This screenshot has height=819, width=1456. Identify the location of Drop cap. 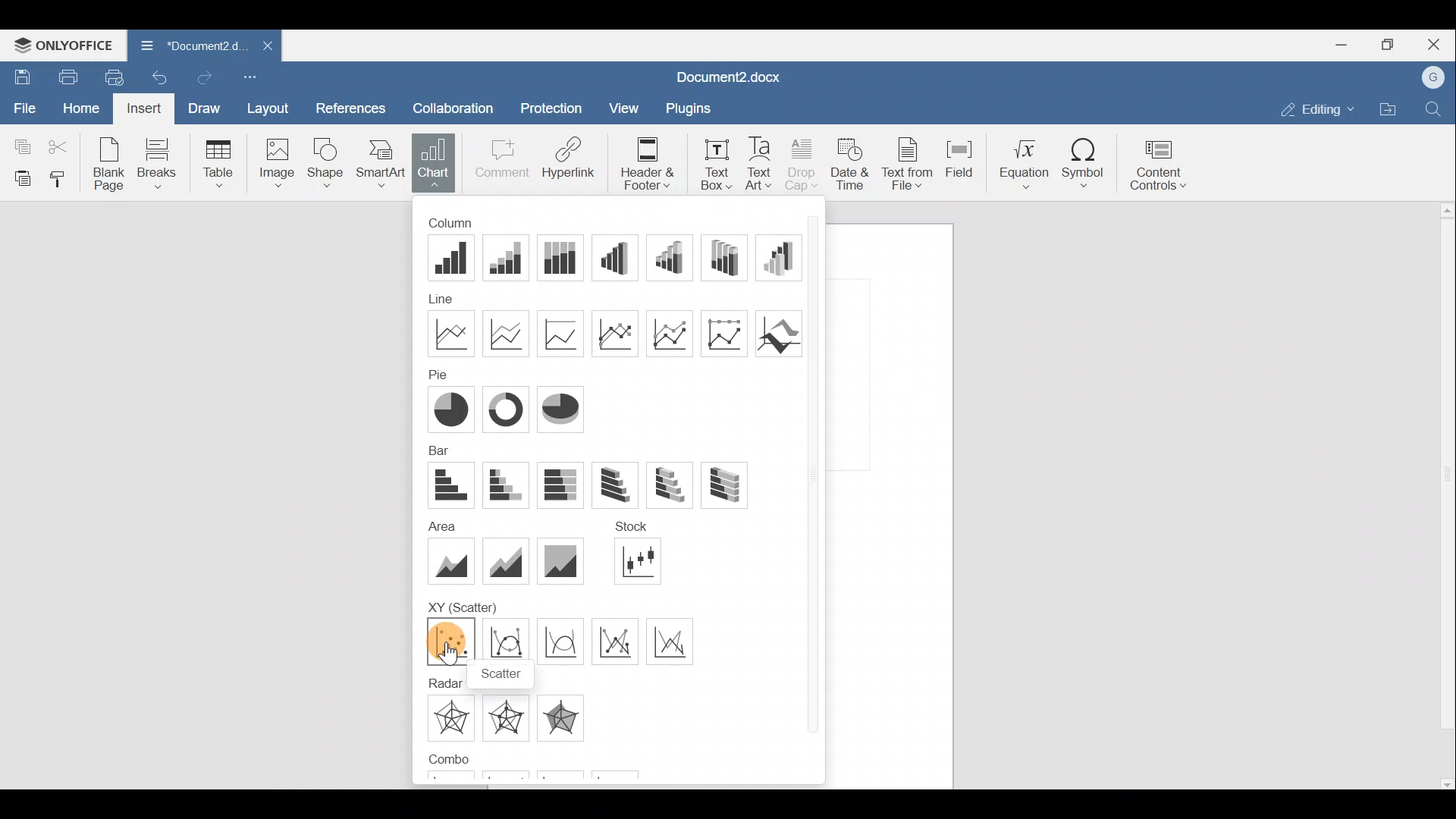
(802, 162).